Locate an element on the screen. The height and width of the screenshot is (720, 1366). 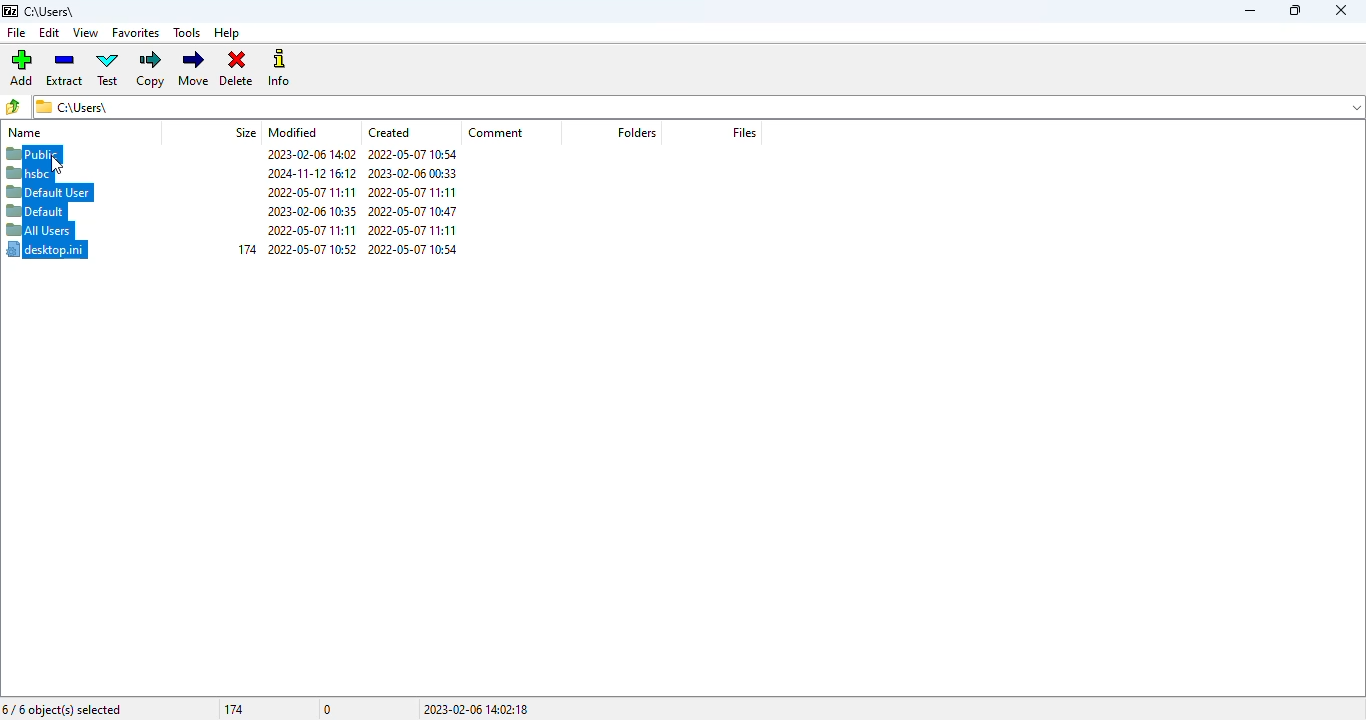
2023-02-06 14:02:18 is located at coordinates (477, 707).